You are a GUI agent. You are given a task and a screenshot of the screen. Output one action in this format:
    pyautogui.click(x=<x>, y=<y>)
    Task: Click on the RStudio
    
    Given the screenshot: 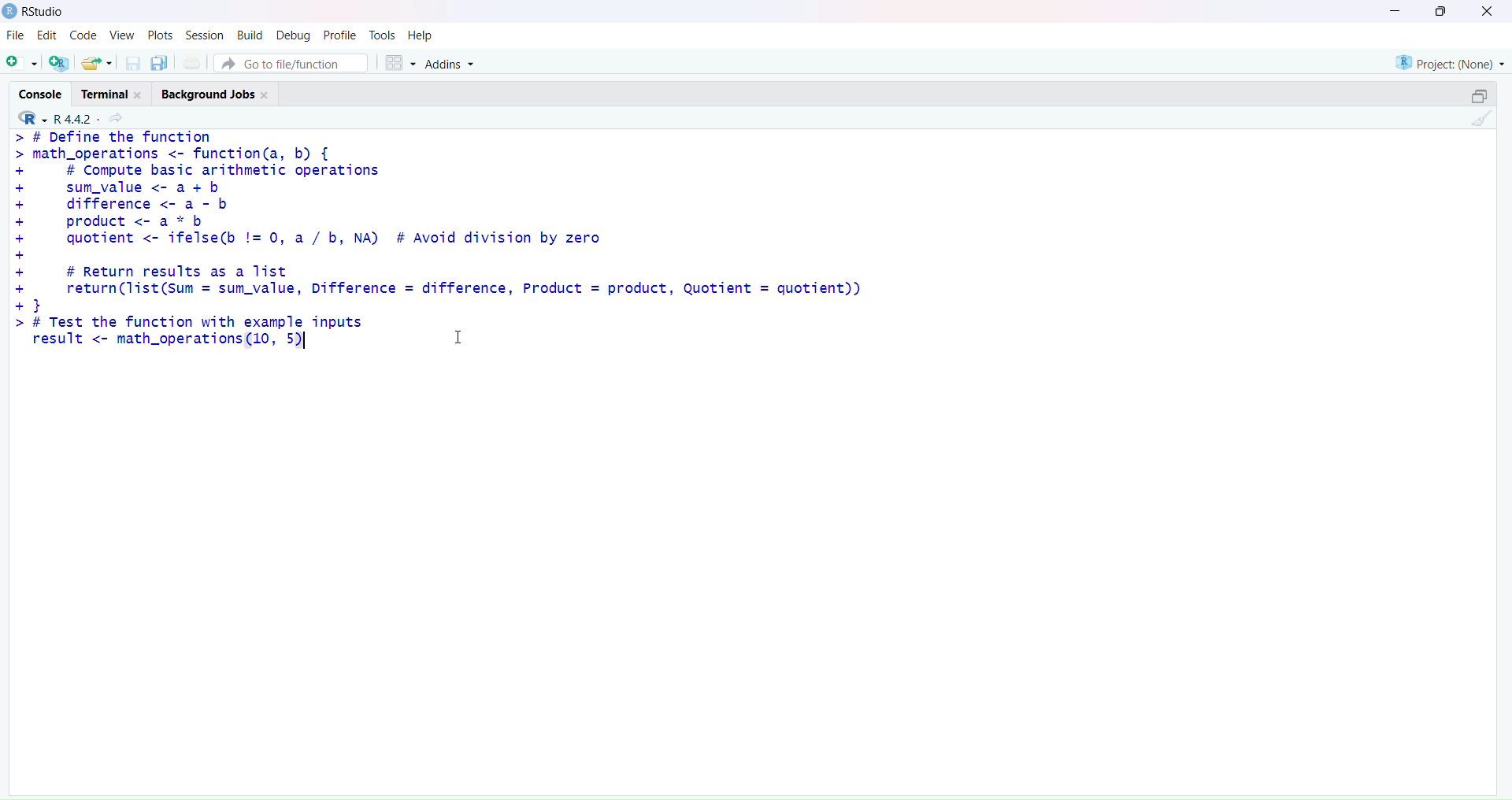 What is the action you would take?
    pyautogui.click(x=35, y=12)
    